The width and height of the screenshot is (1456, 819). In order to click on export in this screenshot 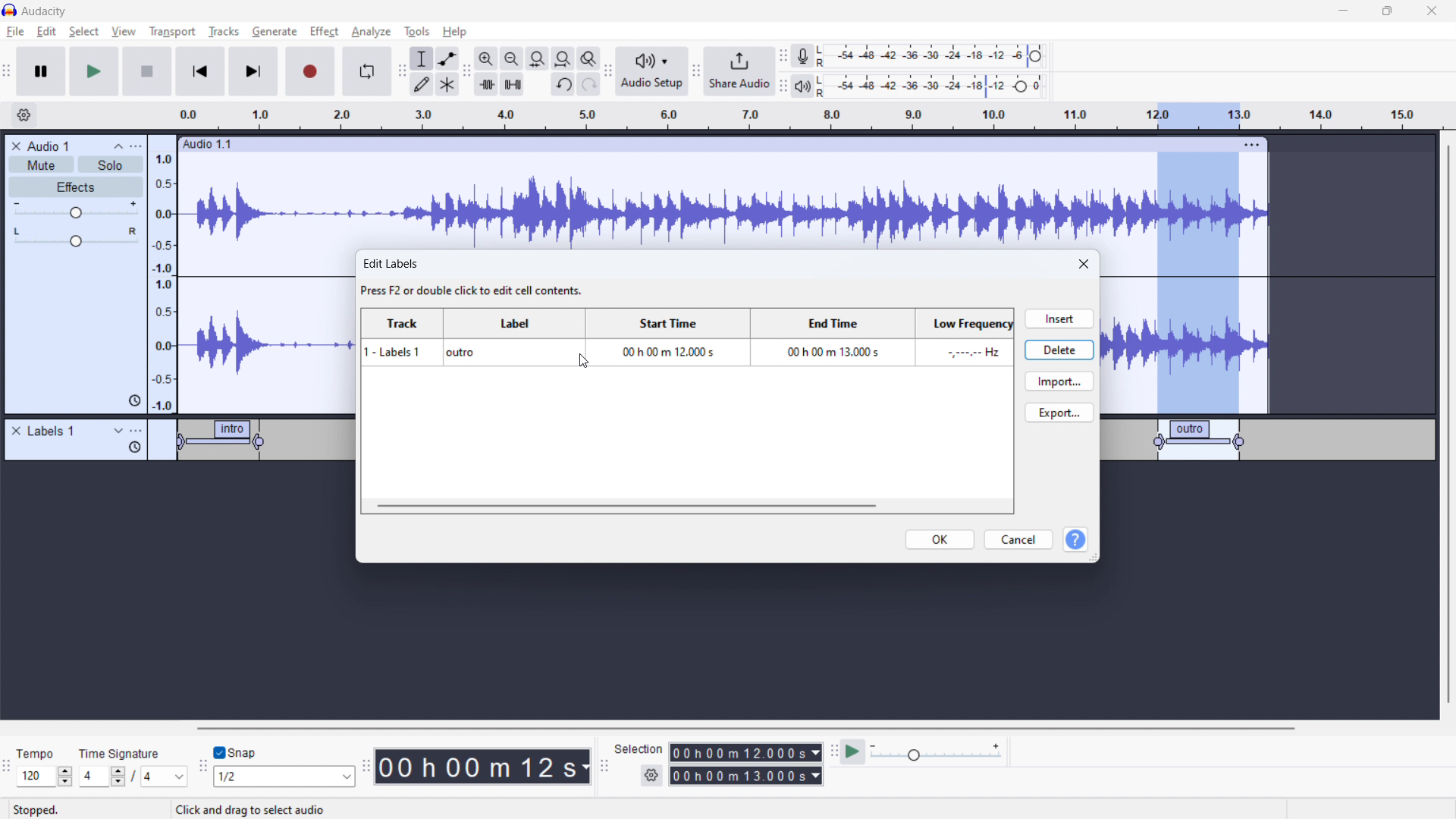, I will do `click(1059, 412)`.